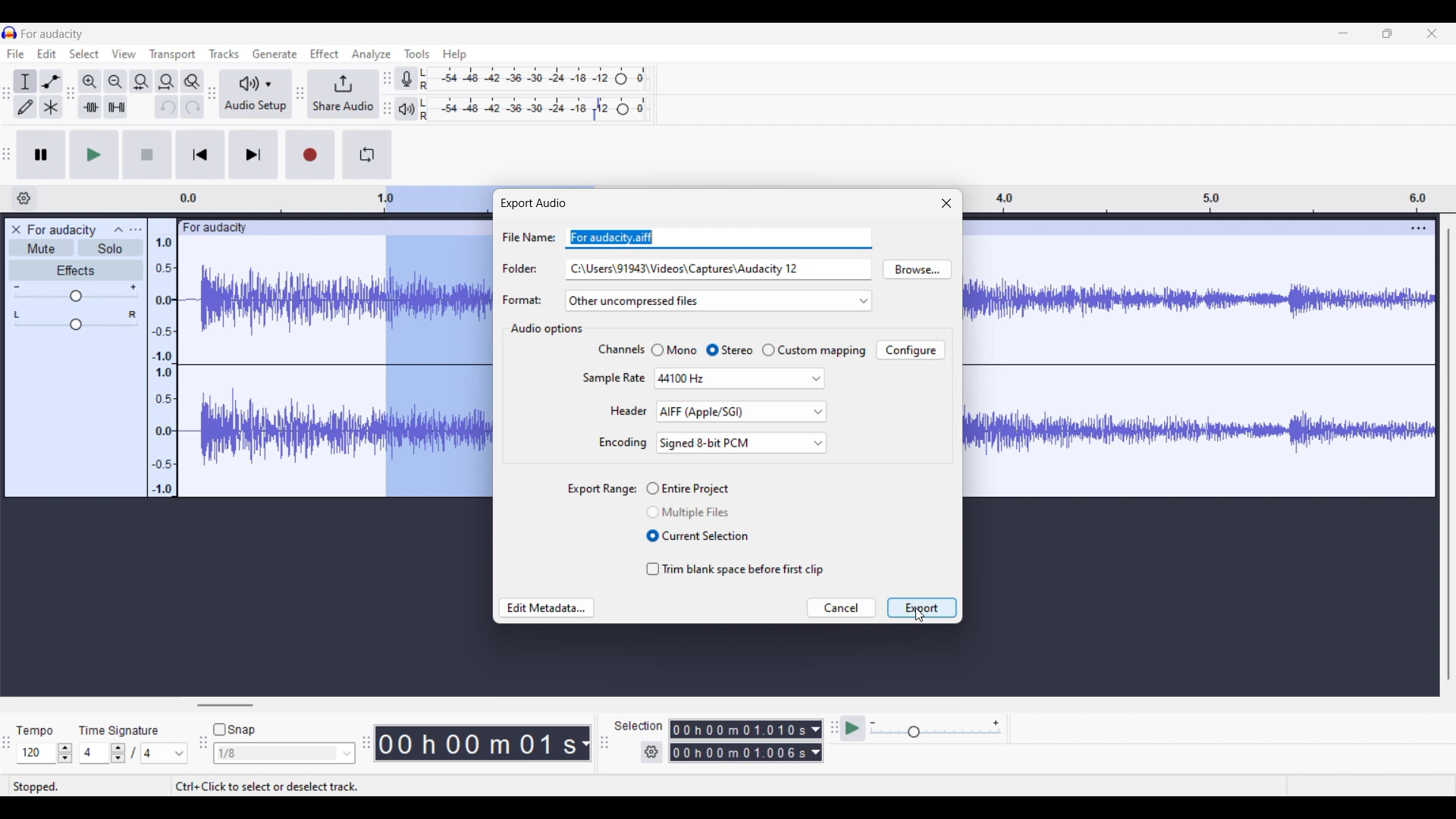  I want to click on Playback level, so click(535, 108).